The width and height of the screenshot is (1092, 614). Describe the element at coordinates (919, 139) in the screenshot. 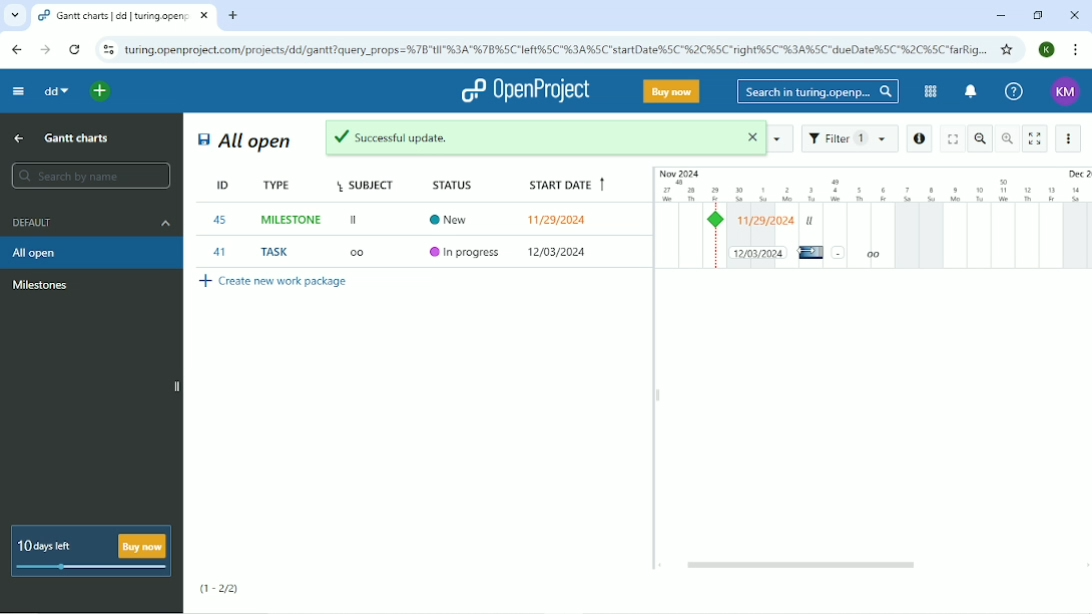

I see `Open details view` at that location.